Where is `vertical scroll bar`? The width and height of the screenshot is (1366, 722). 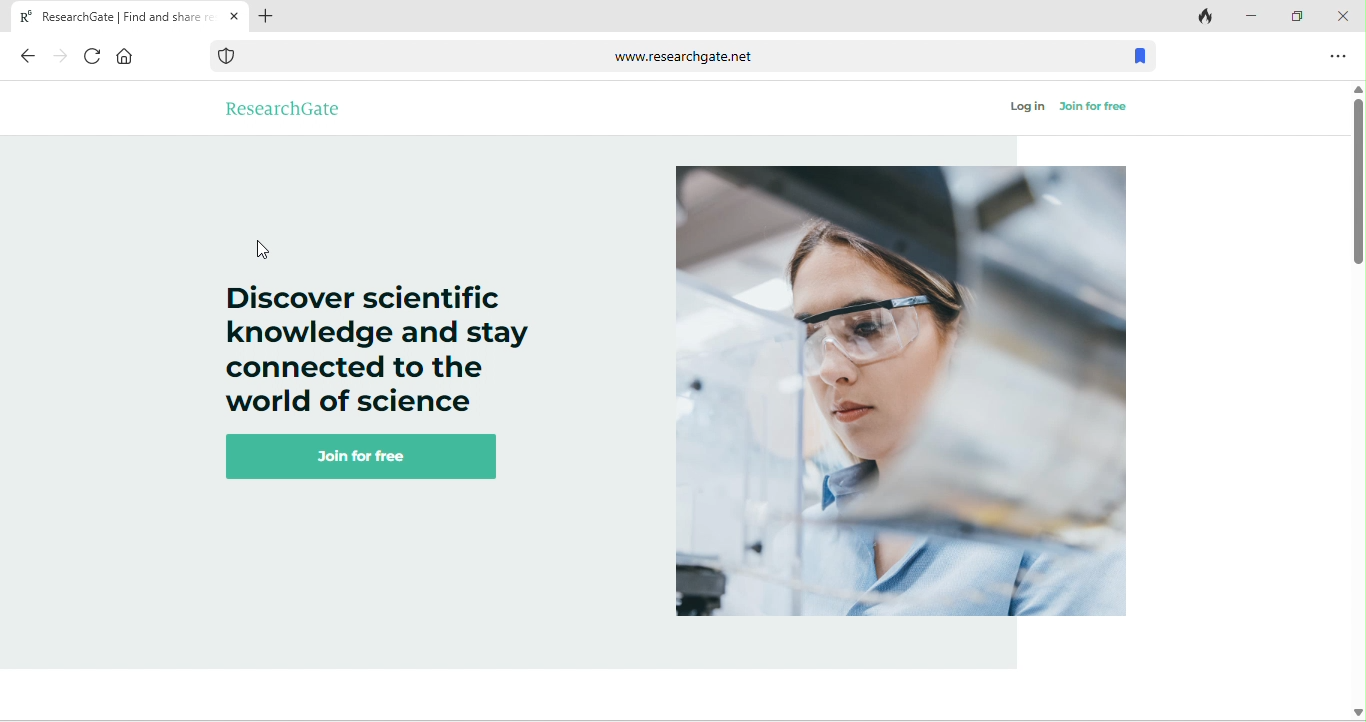
vertical scroll bar is located at coordinates (1356, 173).